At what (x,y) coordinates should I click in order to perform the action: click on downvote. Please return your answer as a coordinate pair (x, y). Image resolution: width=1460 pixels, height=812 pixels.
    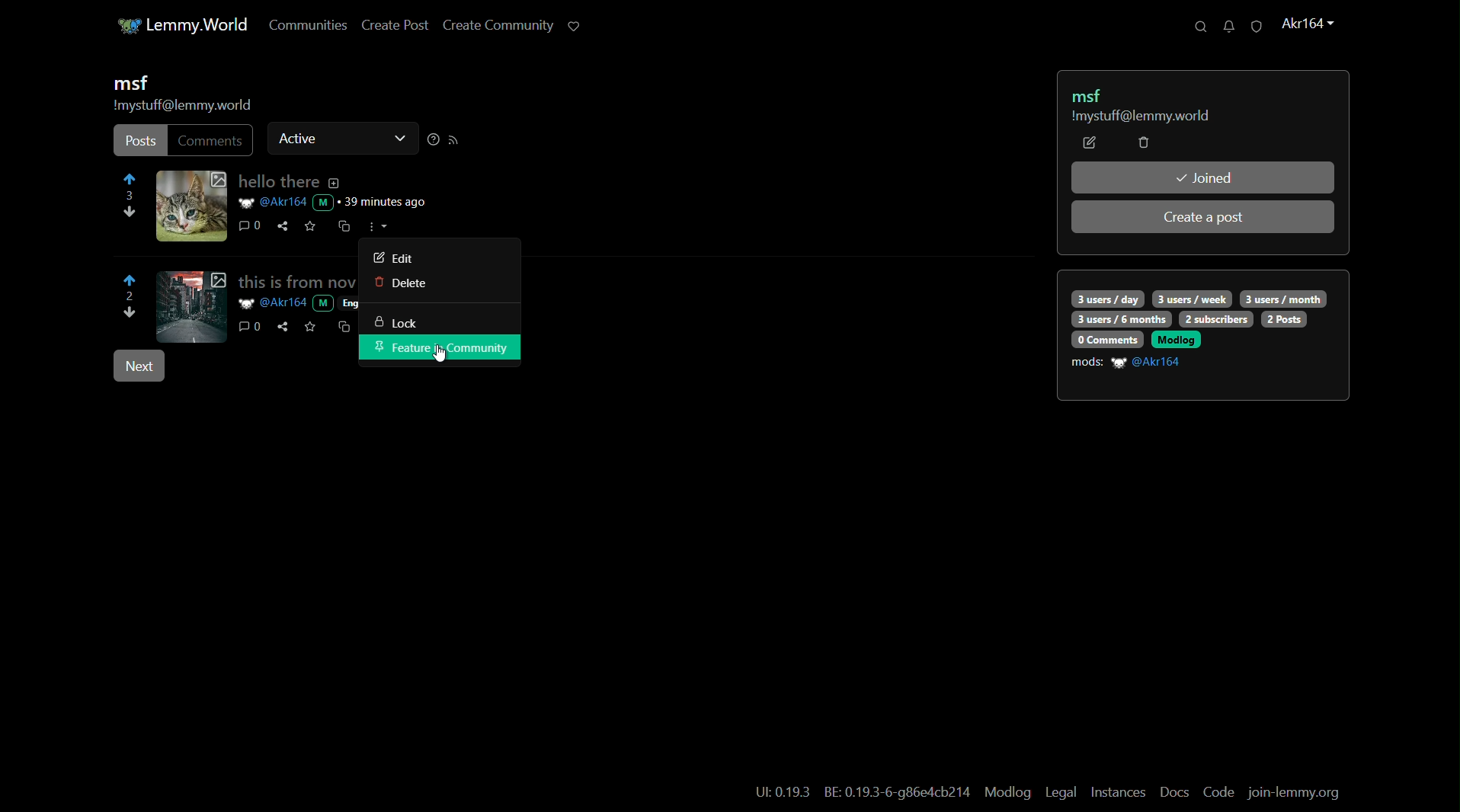
    Looking at the image, I should click on (127, 215).